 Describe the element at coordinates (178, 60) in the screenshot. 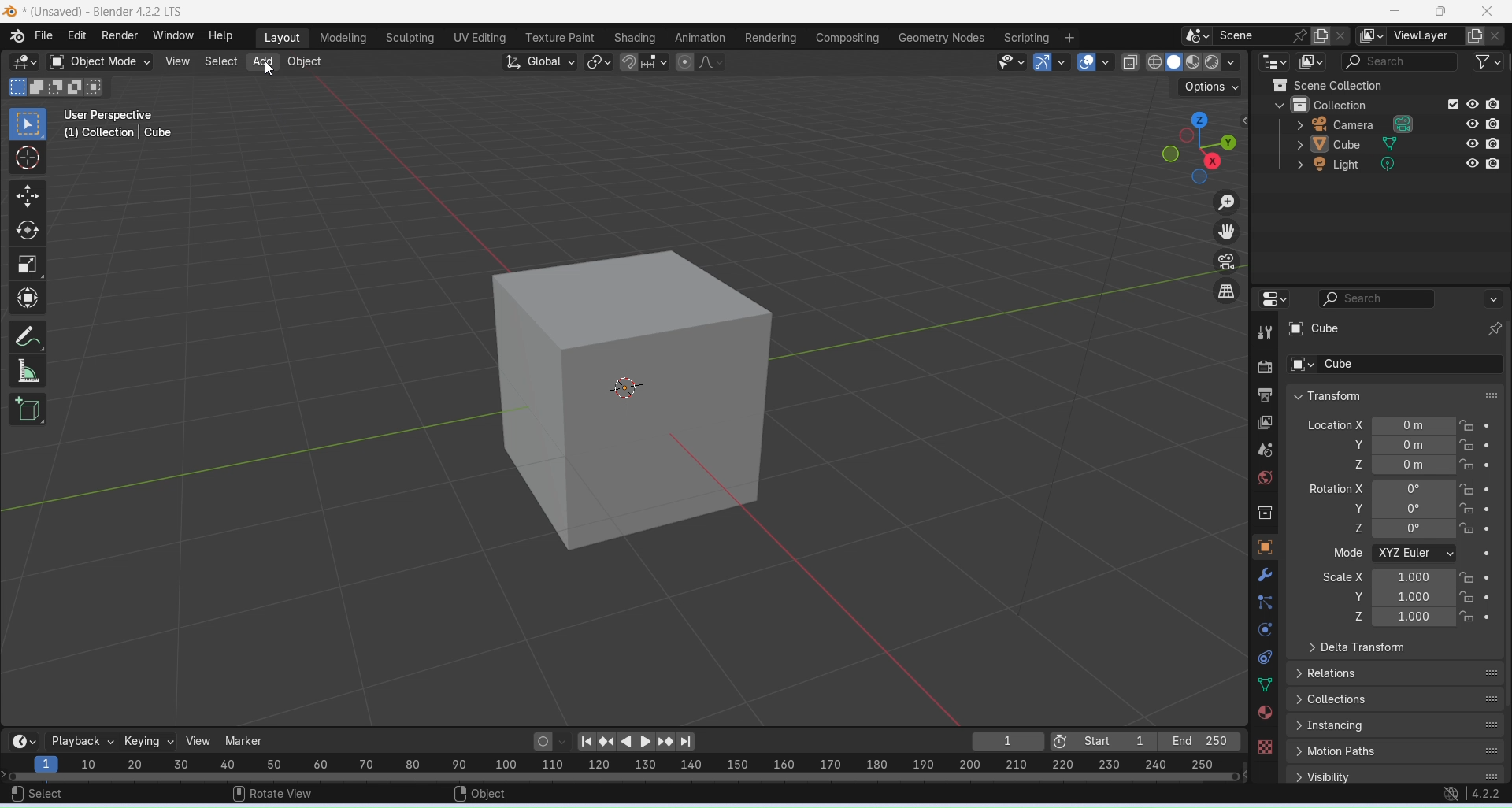

I see `View` at that location.